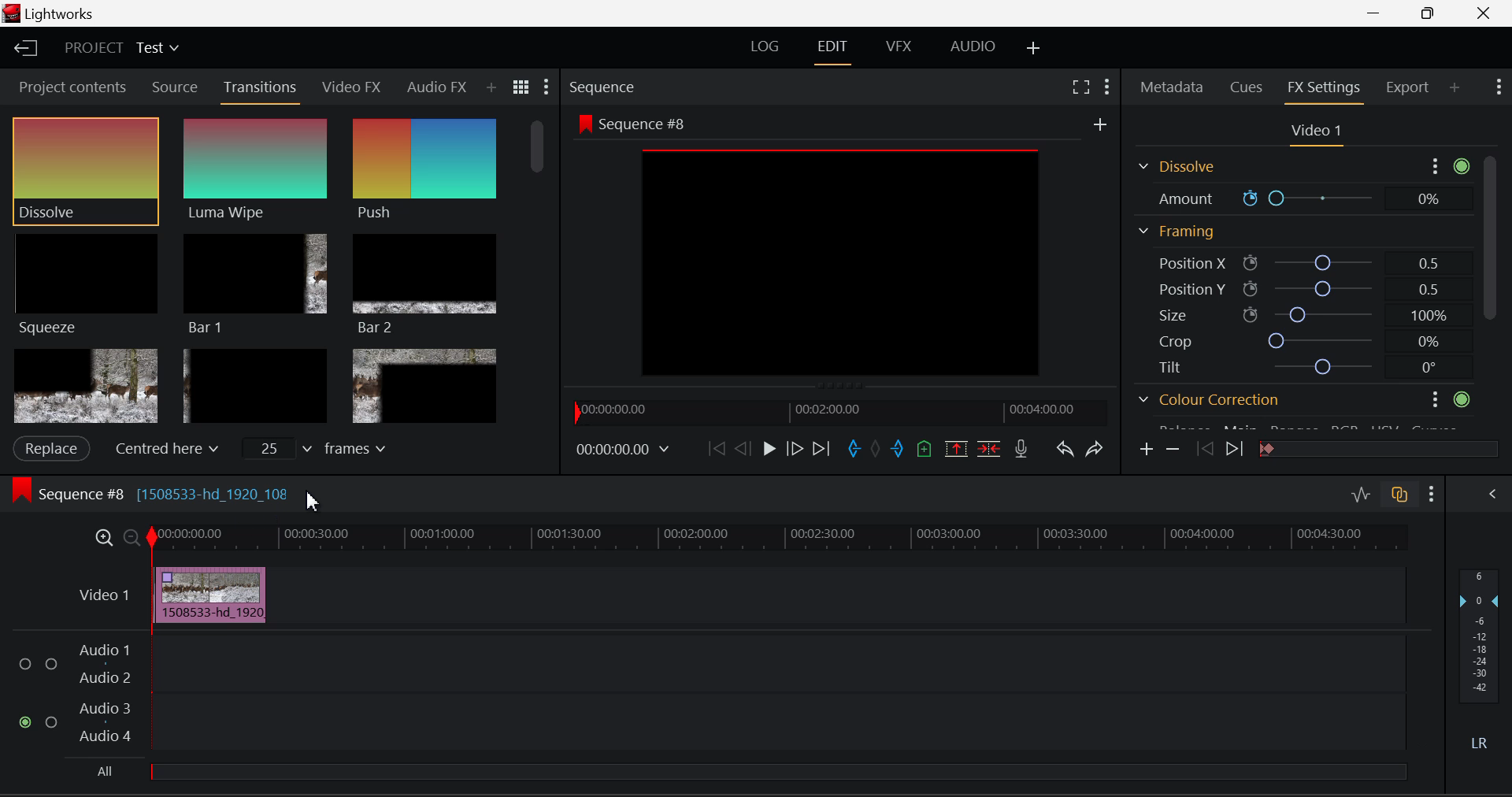 The height and width of the screenshot is (797, 1512). I want to click on Next keyframe, so click(1235, 450).